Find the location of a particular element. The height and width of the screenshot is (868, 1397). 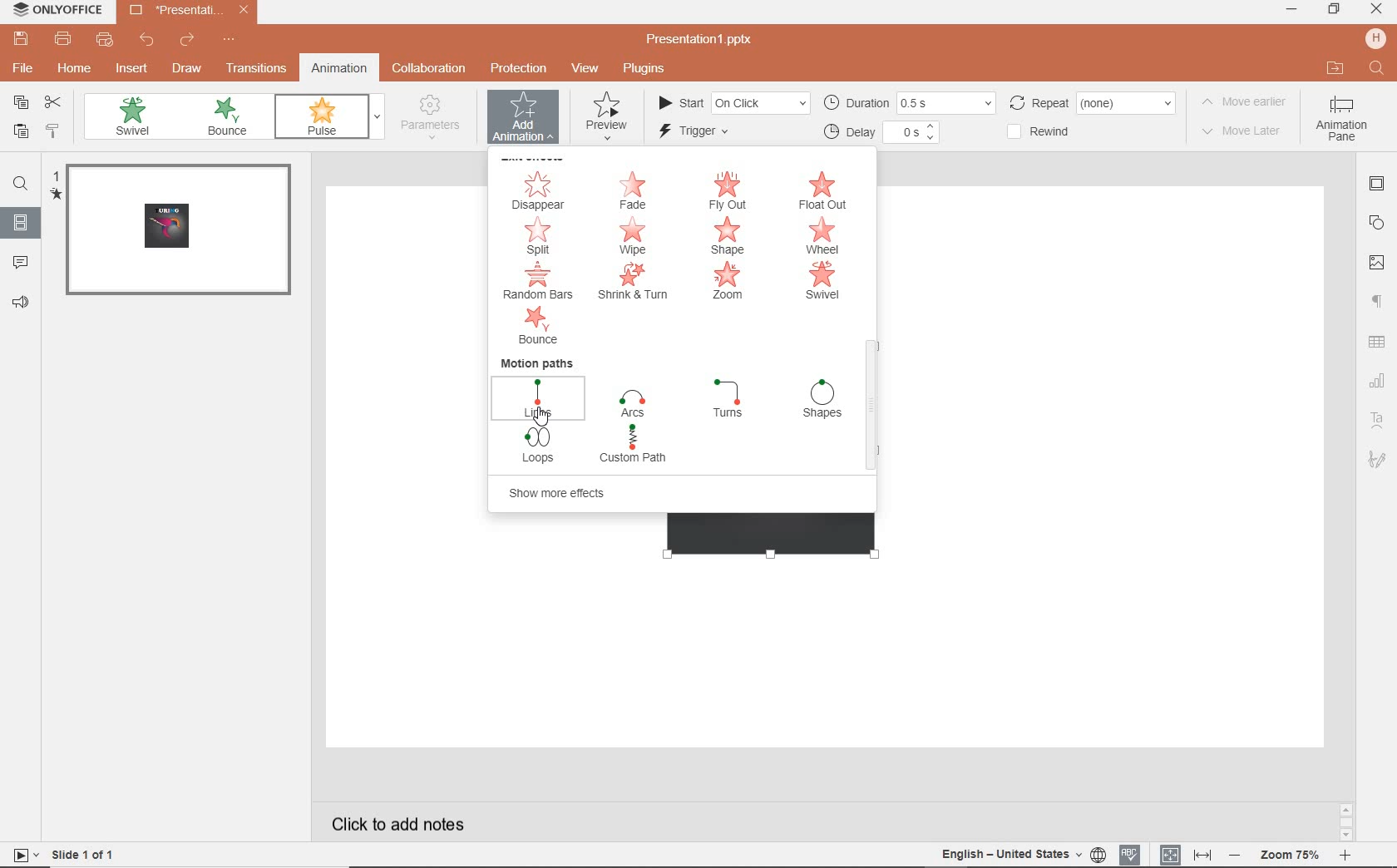

arcs is located at coordinates (633, 404).